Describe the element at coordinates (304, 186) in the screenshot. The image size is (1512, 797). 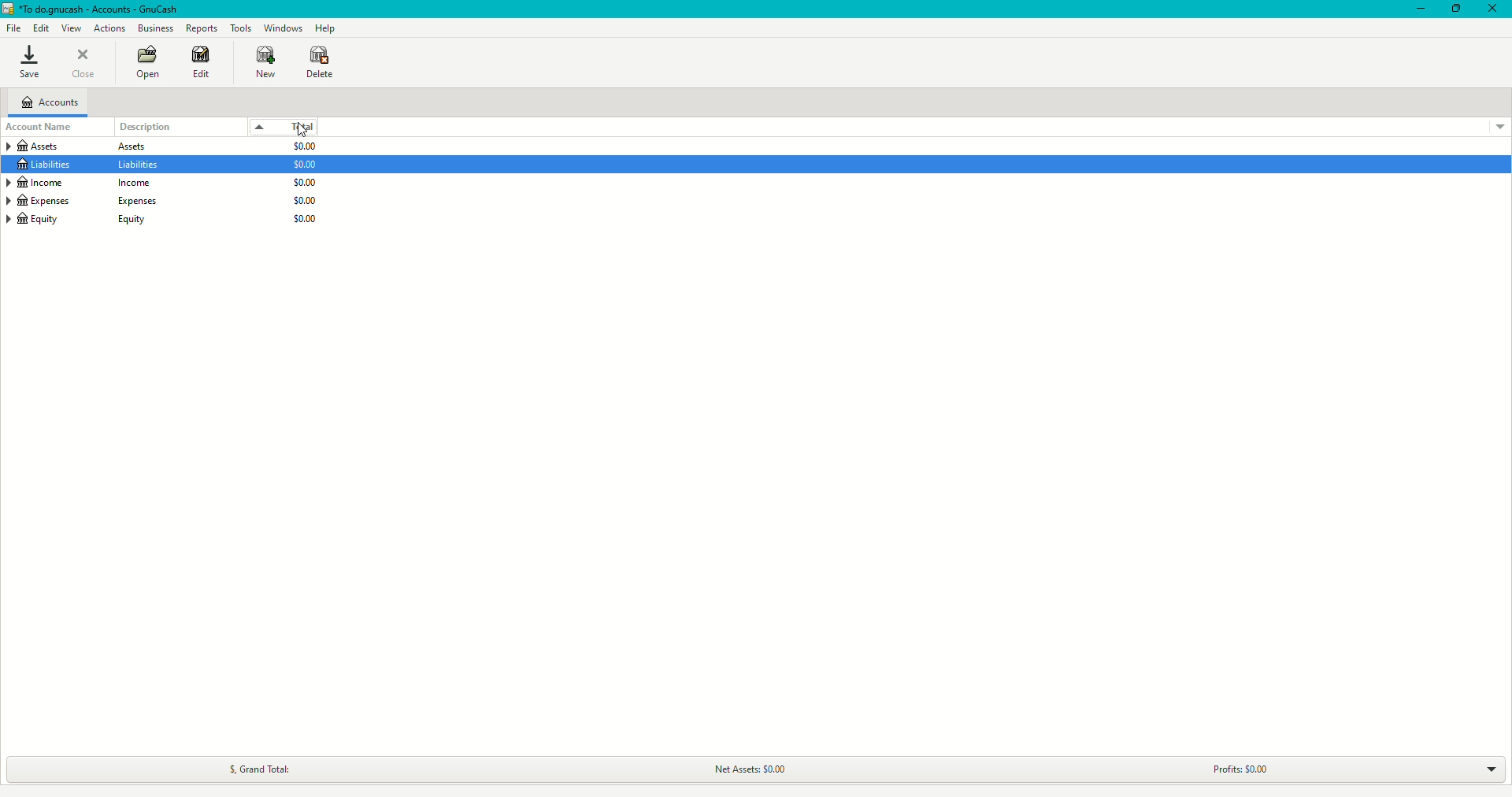
I see `$0` at that location.